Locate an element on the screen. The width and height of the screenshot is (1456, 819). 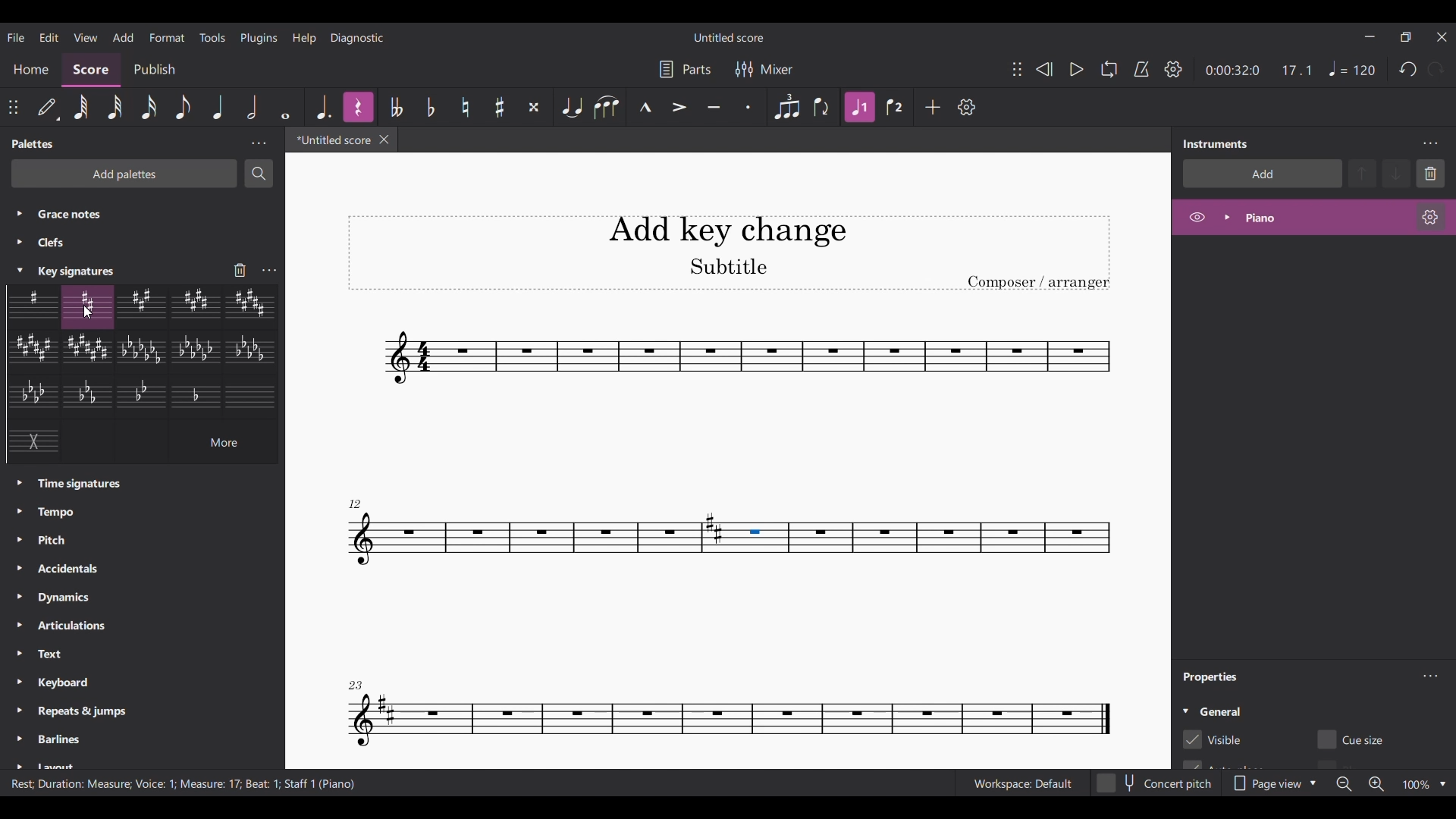
Customize toolbar is located at coordinates (967, 108).